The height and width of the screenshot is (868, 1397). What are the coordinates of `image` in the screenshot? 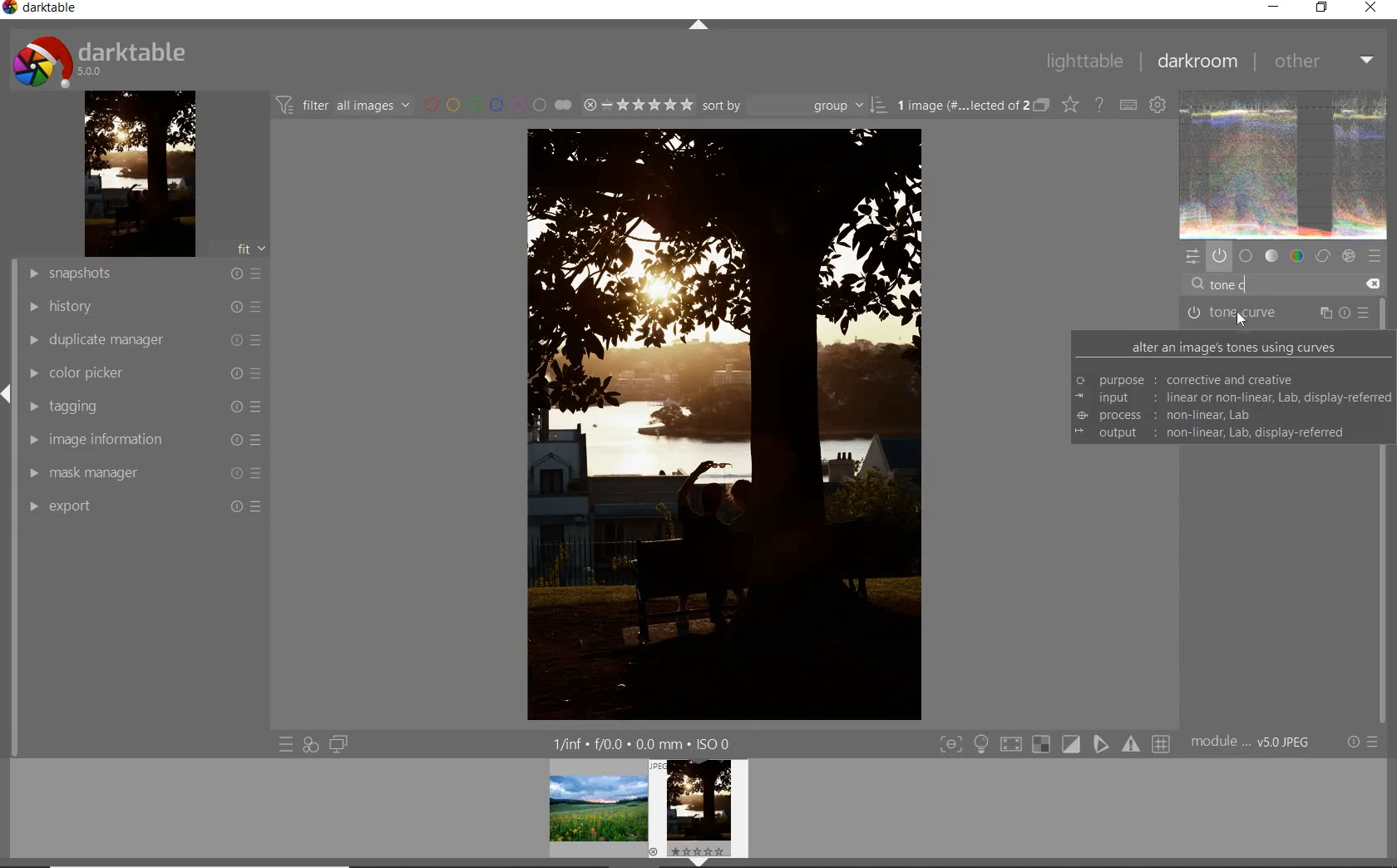 It's located at (1286, 165).